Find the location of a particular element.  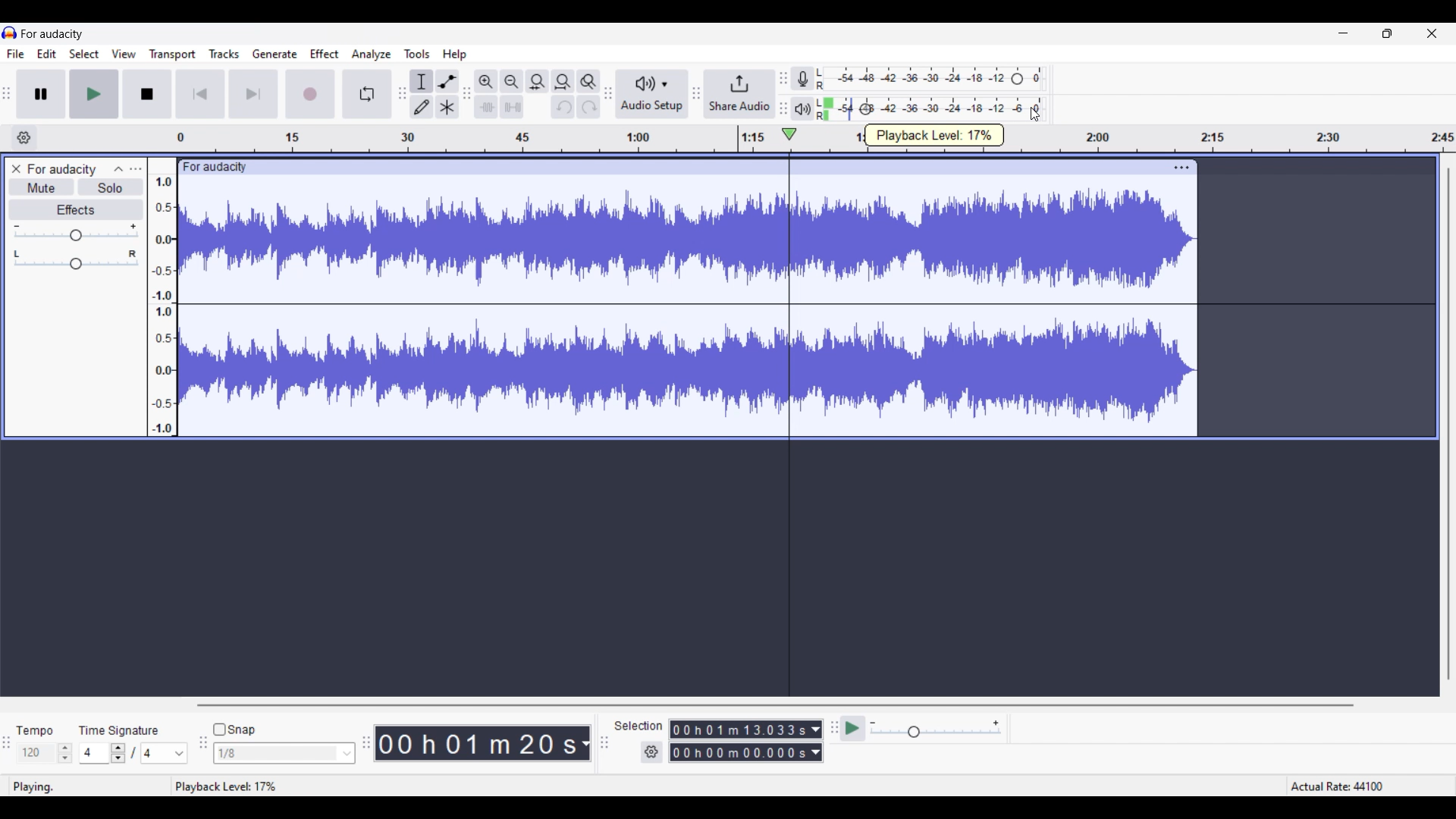

Marker is located at coordinates (738, 140).